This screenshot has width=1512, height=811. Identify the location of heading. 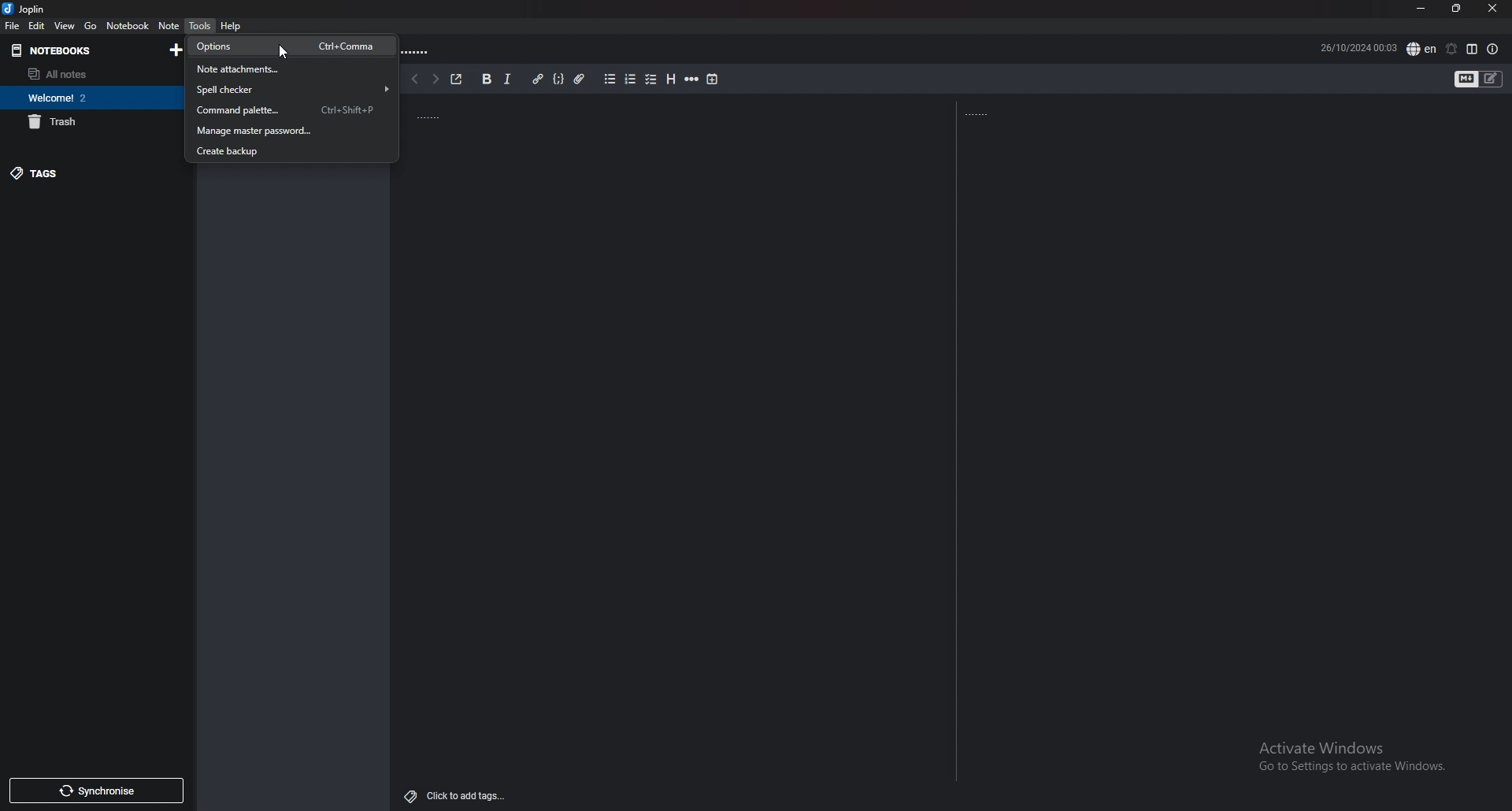
(672, 80).